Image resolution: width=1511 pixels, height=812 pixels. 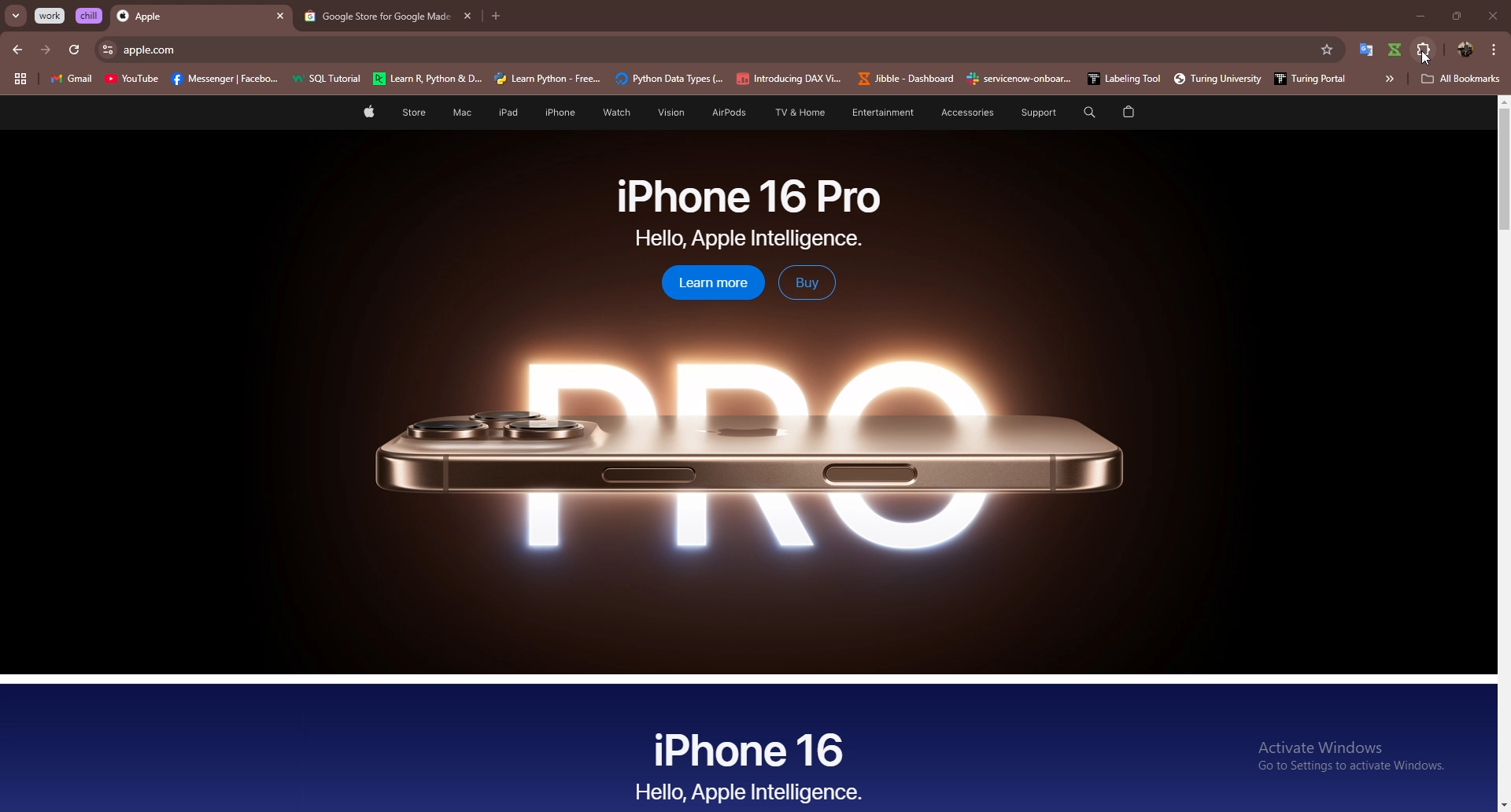 I want to click on iPhone 16 Pro
Hello, Apple Intelligence., so click(x=749, y=213).